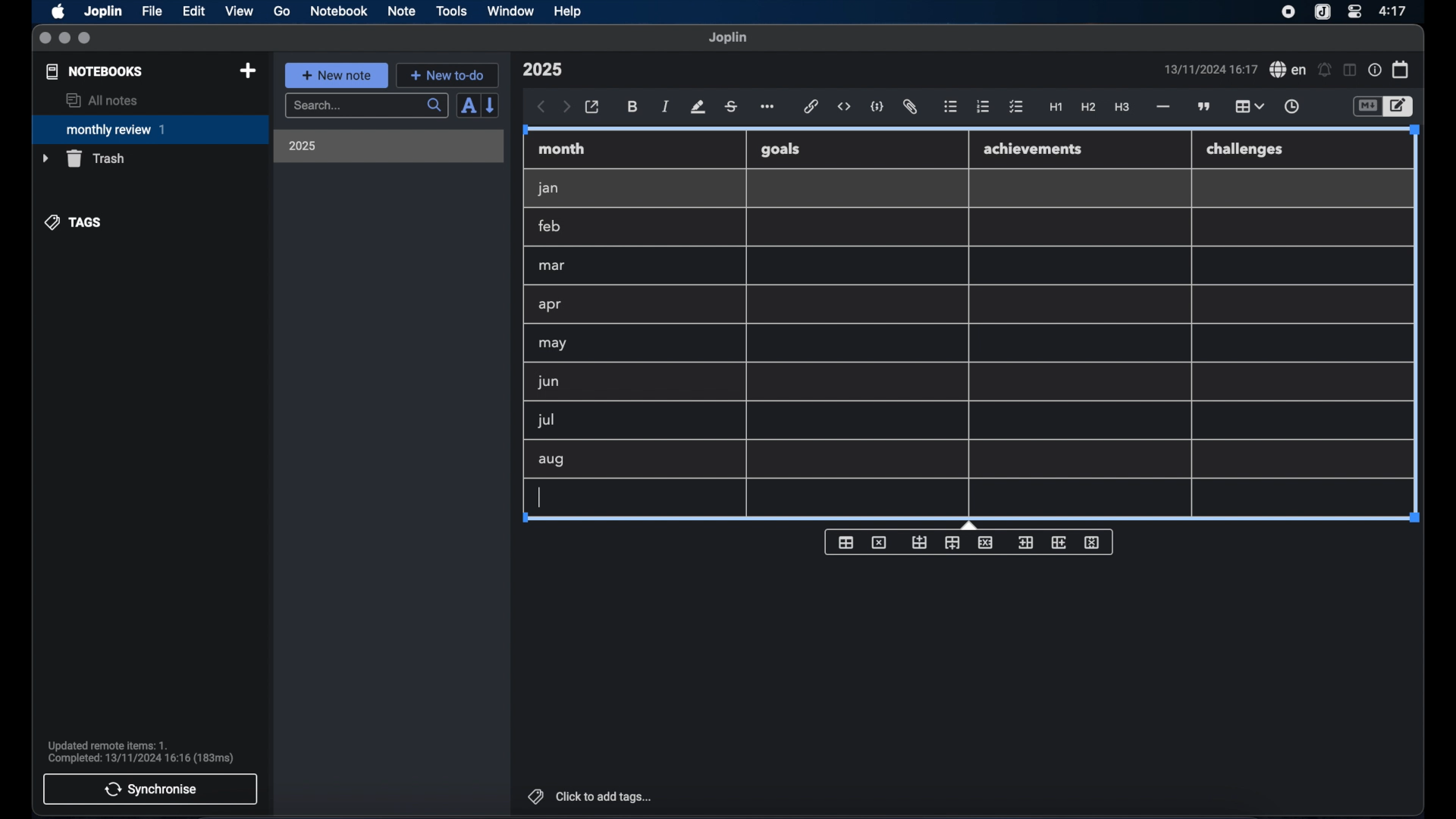 Image resolution: width=1456 pixels, height=819 pixels. Describe the element at coordinates (1089, 108) in the screenshot. I see `heading 2` at that location.